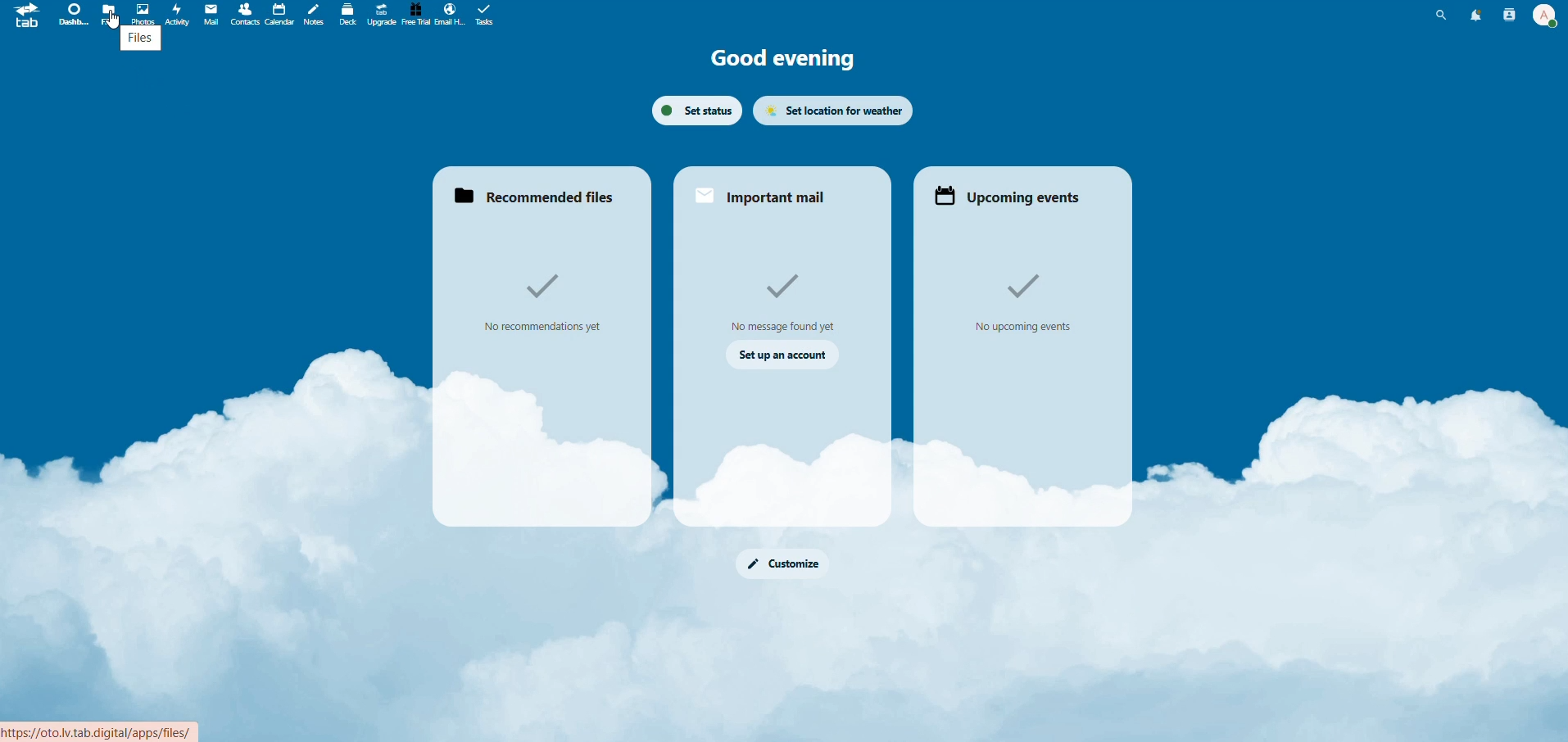 The width and height of the screenshot is (1568, 742). I want to click on Tasks, so click(489, 16).